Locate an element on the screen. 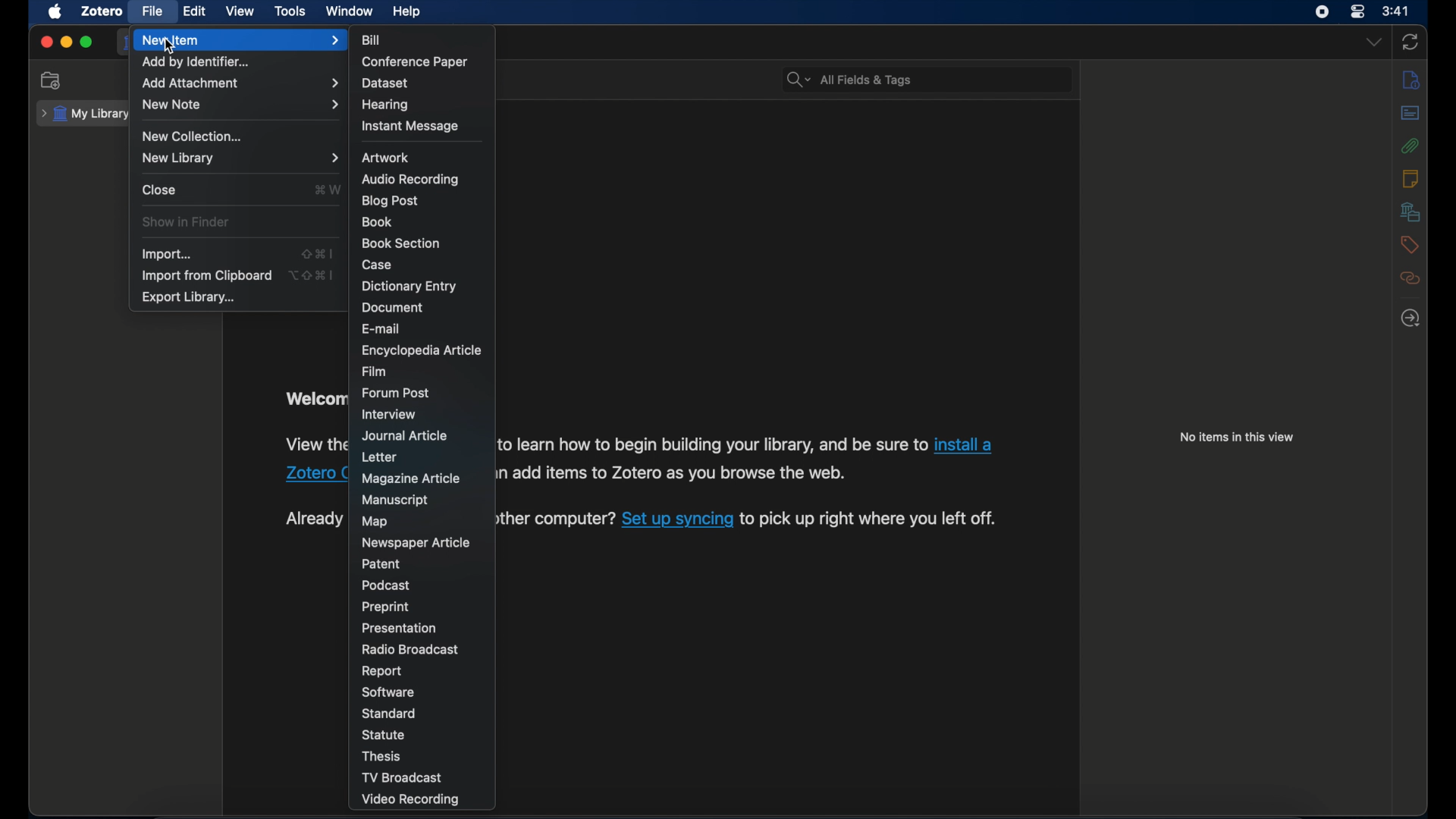  document is located at coordinates (391, 307).